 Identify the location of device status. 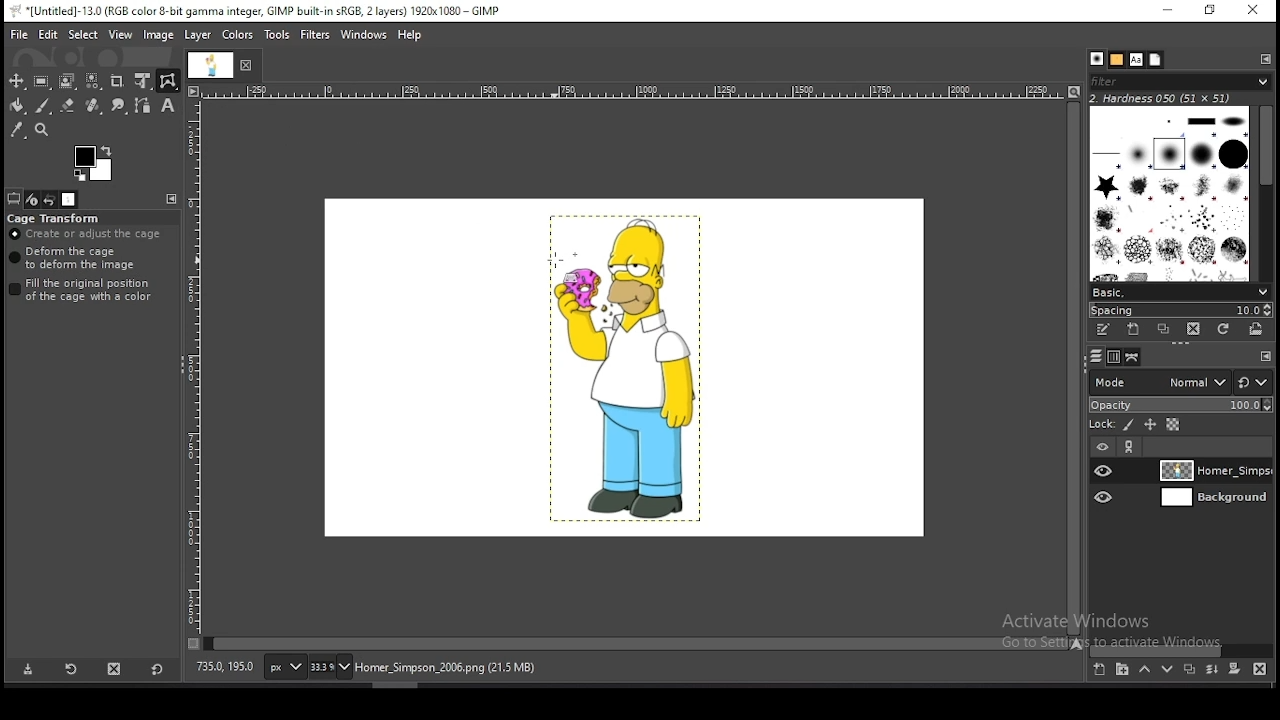
(31, 199).